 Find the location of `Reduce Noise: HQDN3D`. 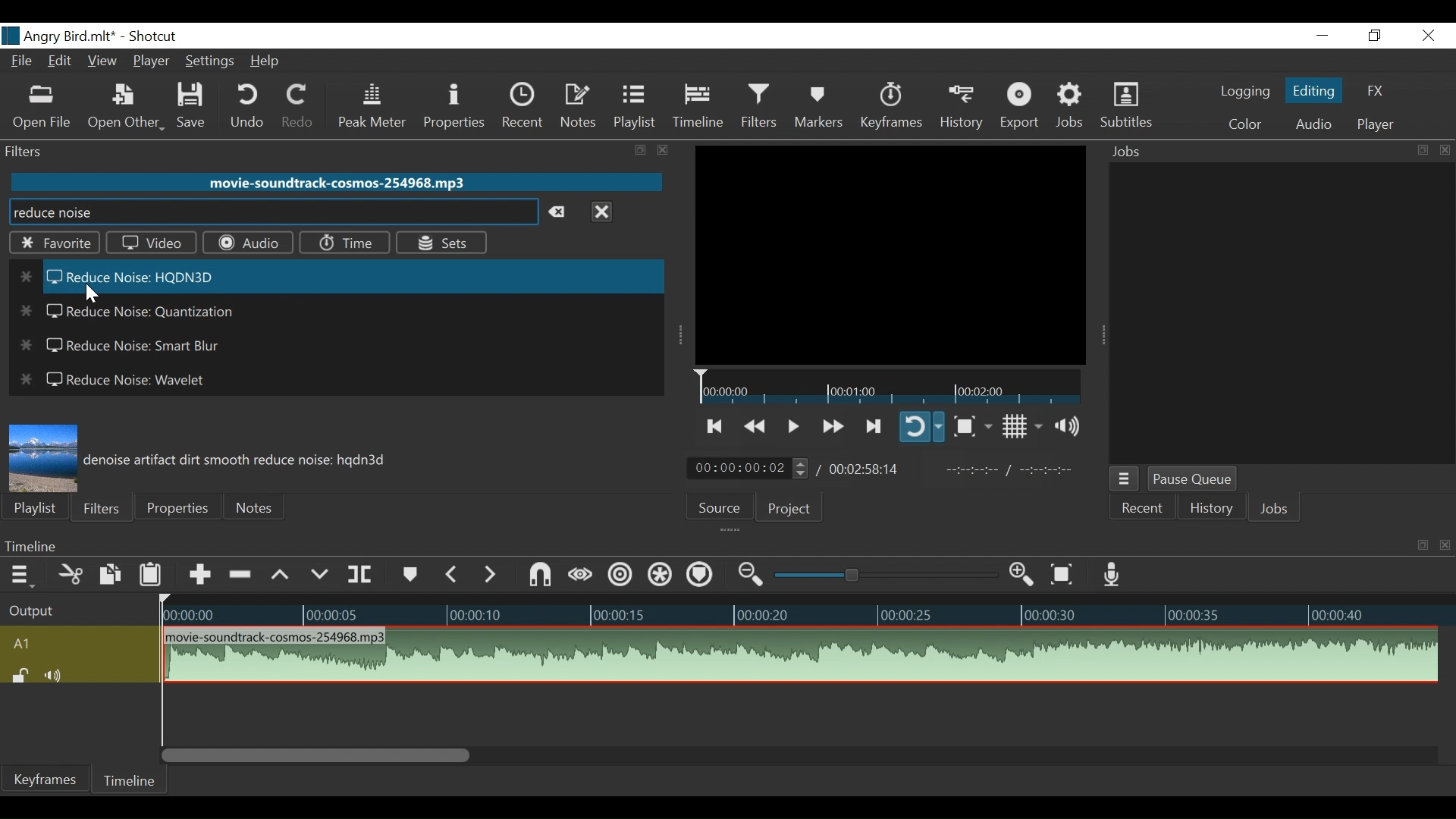

Reduce Noise: HQDN3D is located at coordinates (339, 276).